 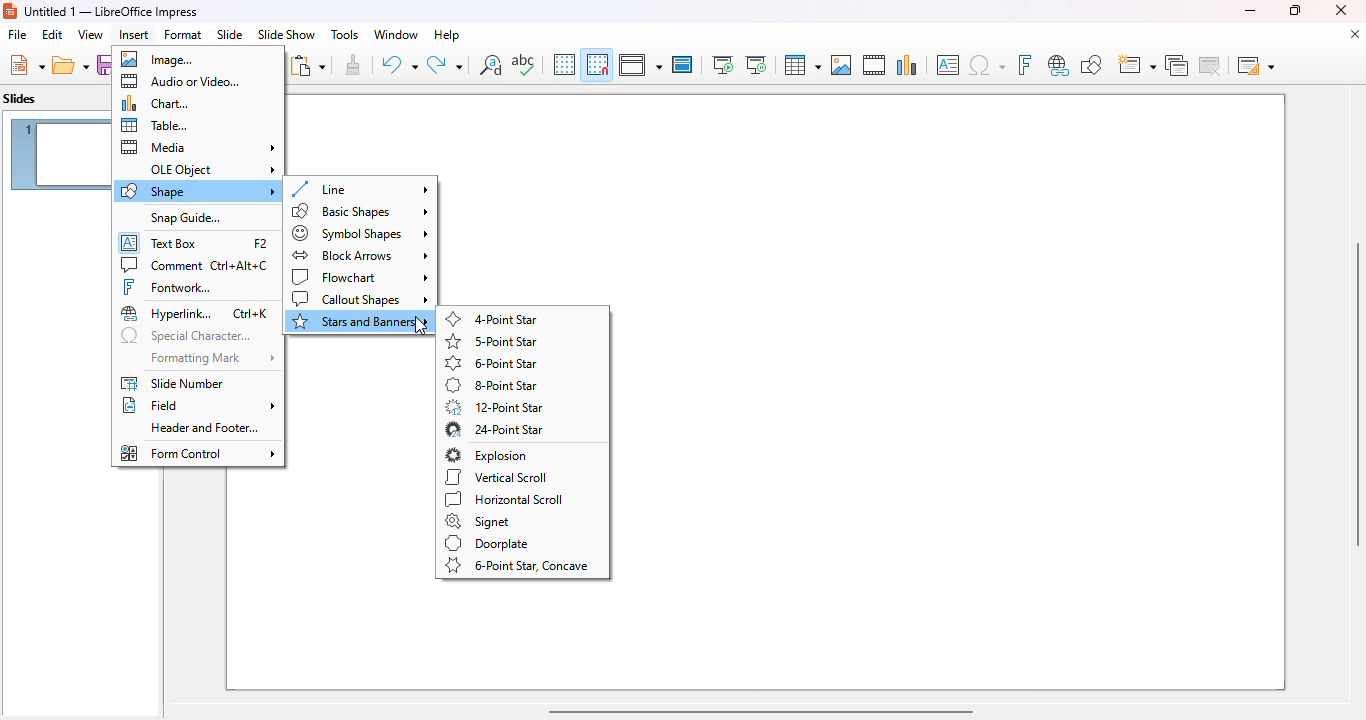 I want to click on line, so click(x=359, y=189).